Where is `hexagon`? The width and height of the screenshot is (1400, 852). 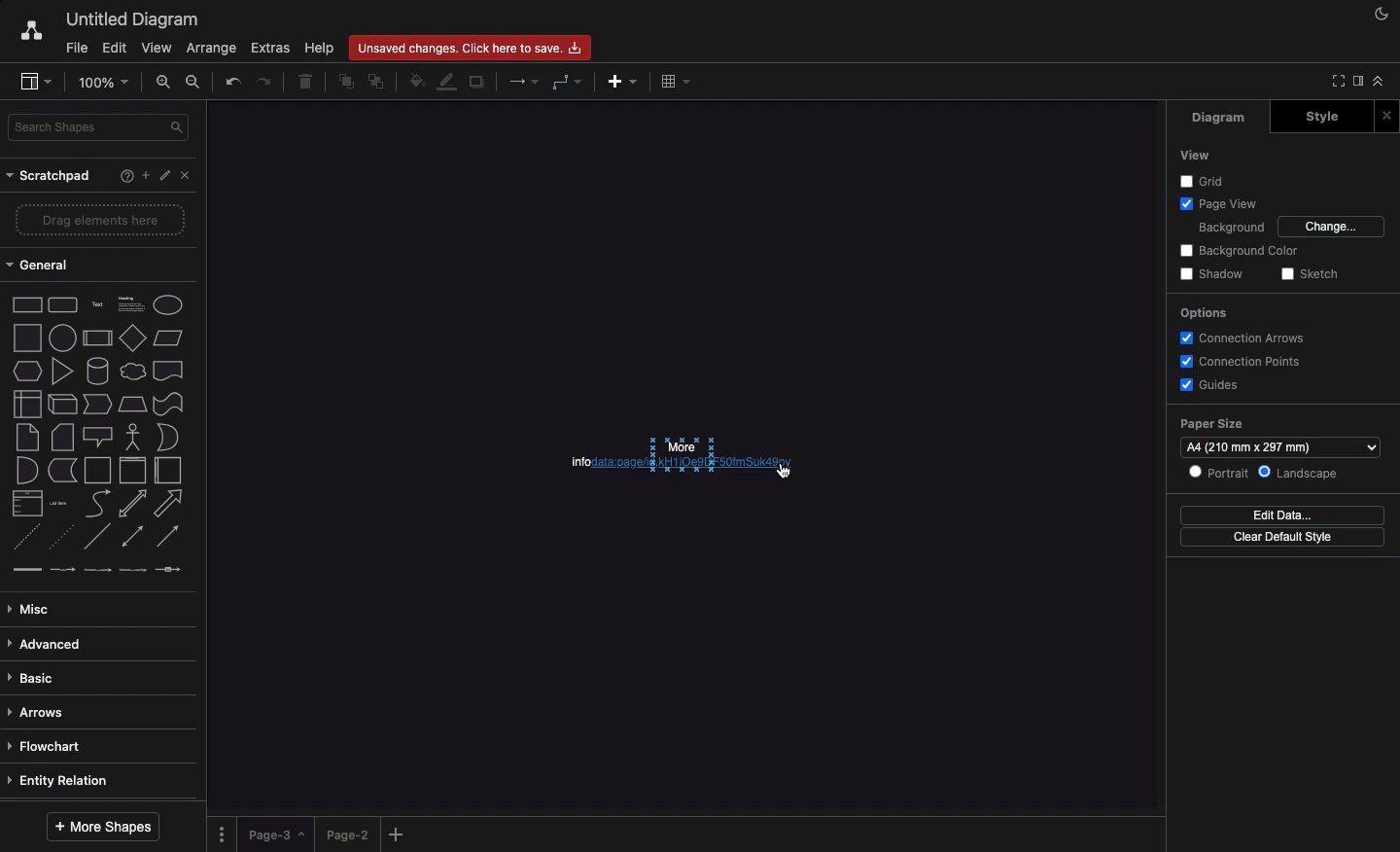
hexagon is located at coordinates (28, 372).